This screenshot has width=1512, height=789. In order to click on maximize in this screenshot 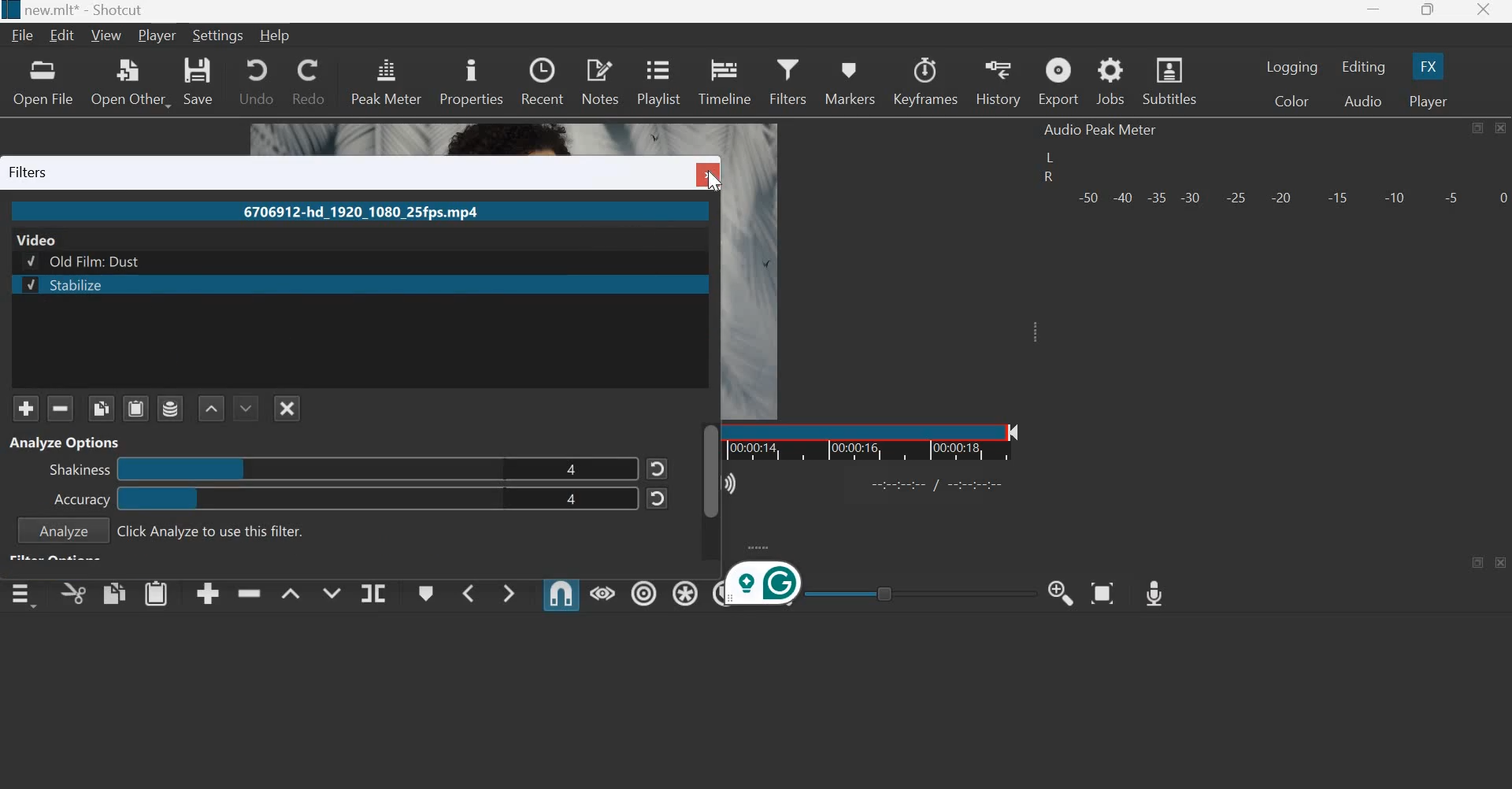, I will do `click(1478, 563)`.